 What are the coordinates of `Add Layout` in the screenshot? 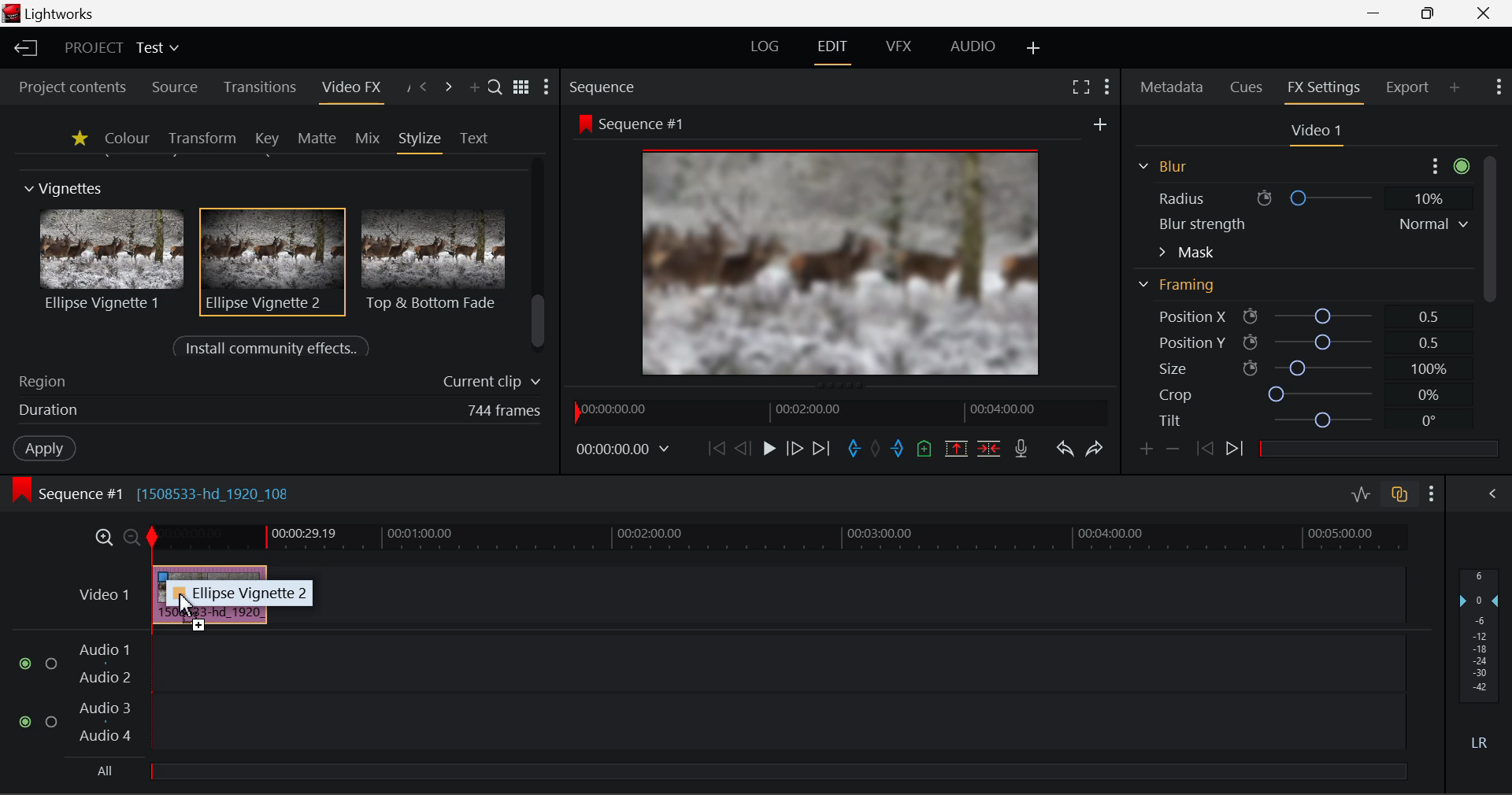 It's located at (1034, 48).